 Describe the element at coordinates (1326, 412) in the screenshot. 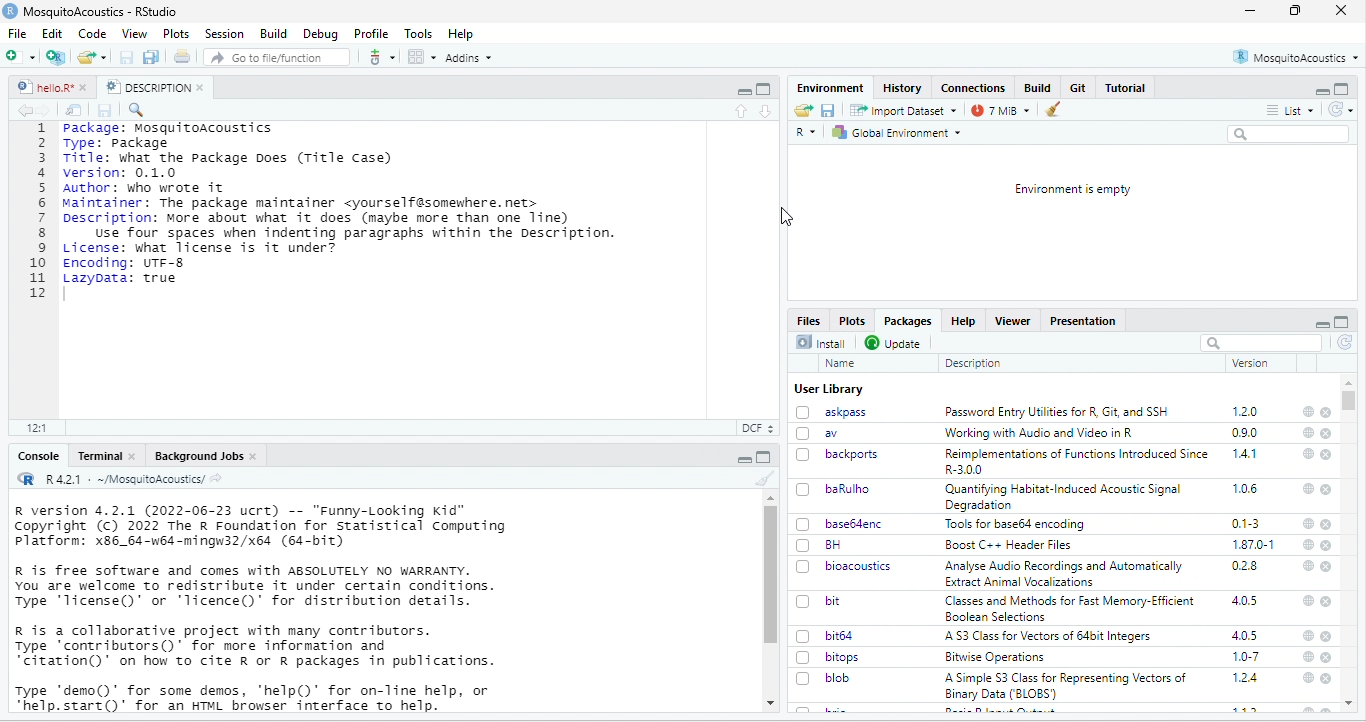

I see `close` at that location.